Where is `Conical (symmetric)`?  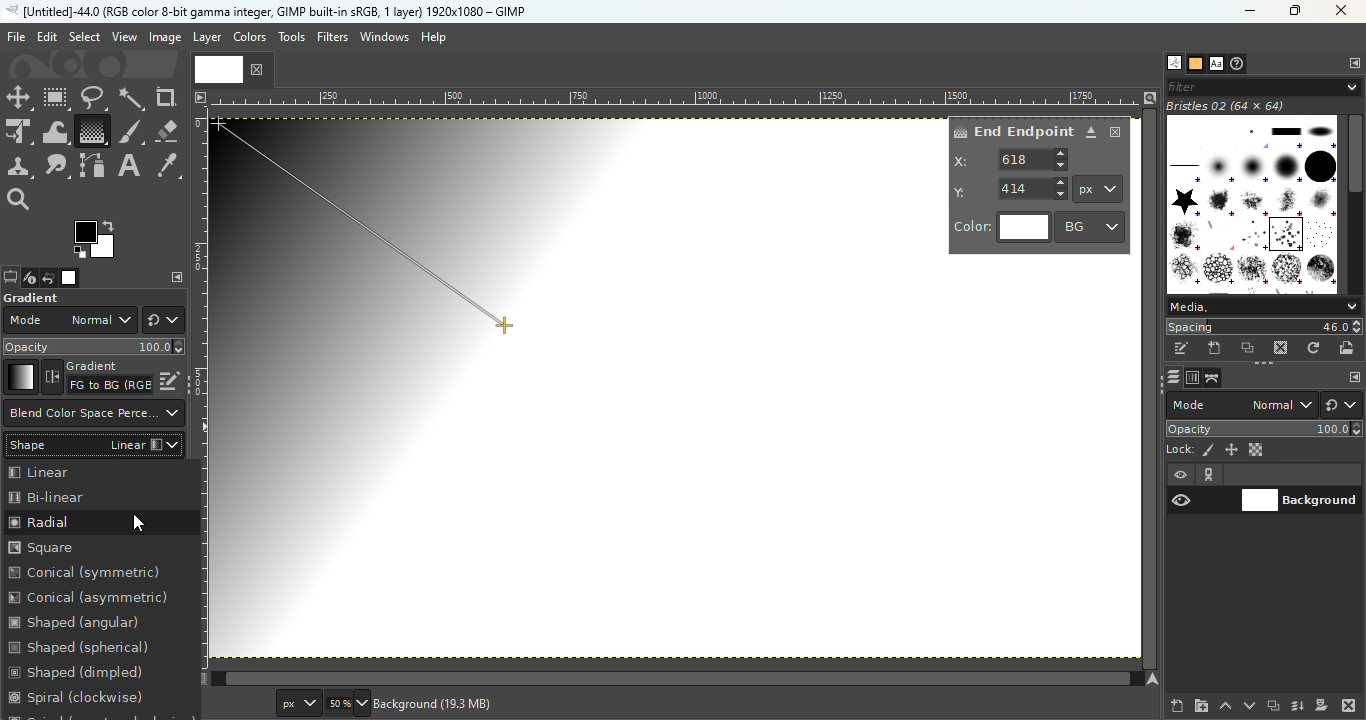 Conical (symmetric) is located at coordinates (88, 574).